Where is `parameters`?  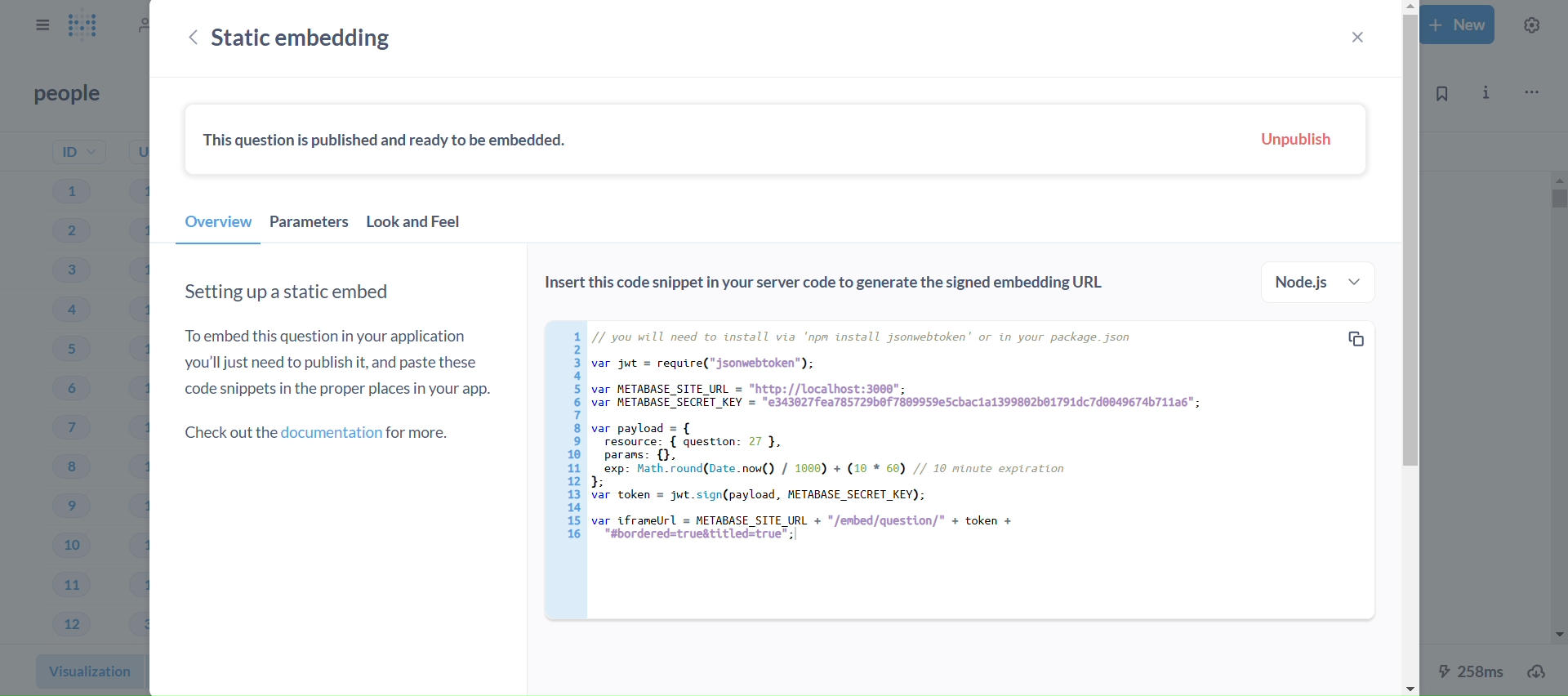
parameters is located at coordinates (310, 226).